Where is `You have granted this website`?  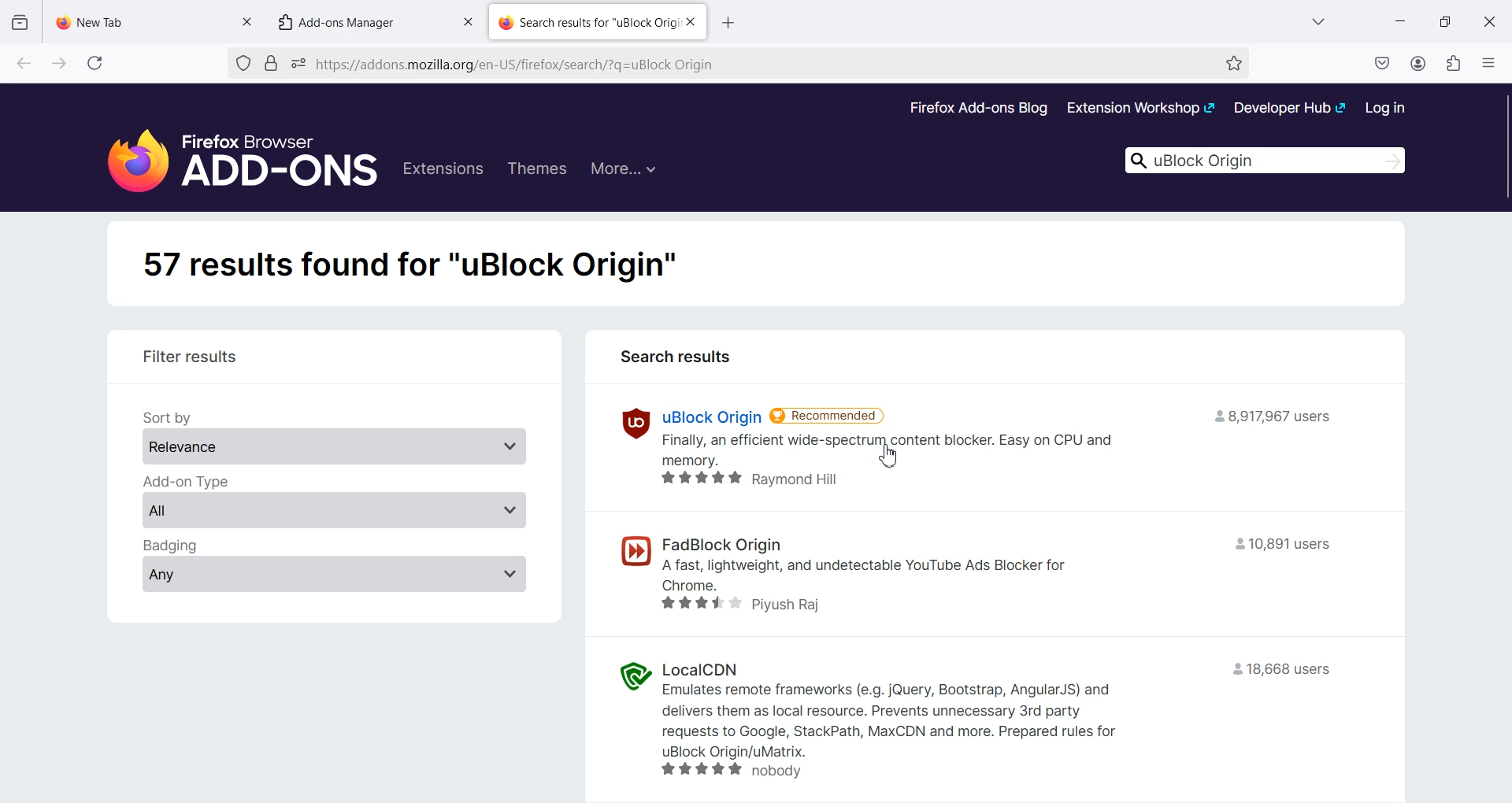 You have granted this website is located at coordinates (298, 64).